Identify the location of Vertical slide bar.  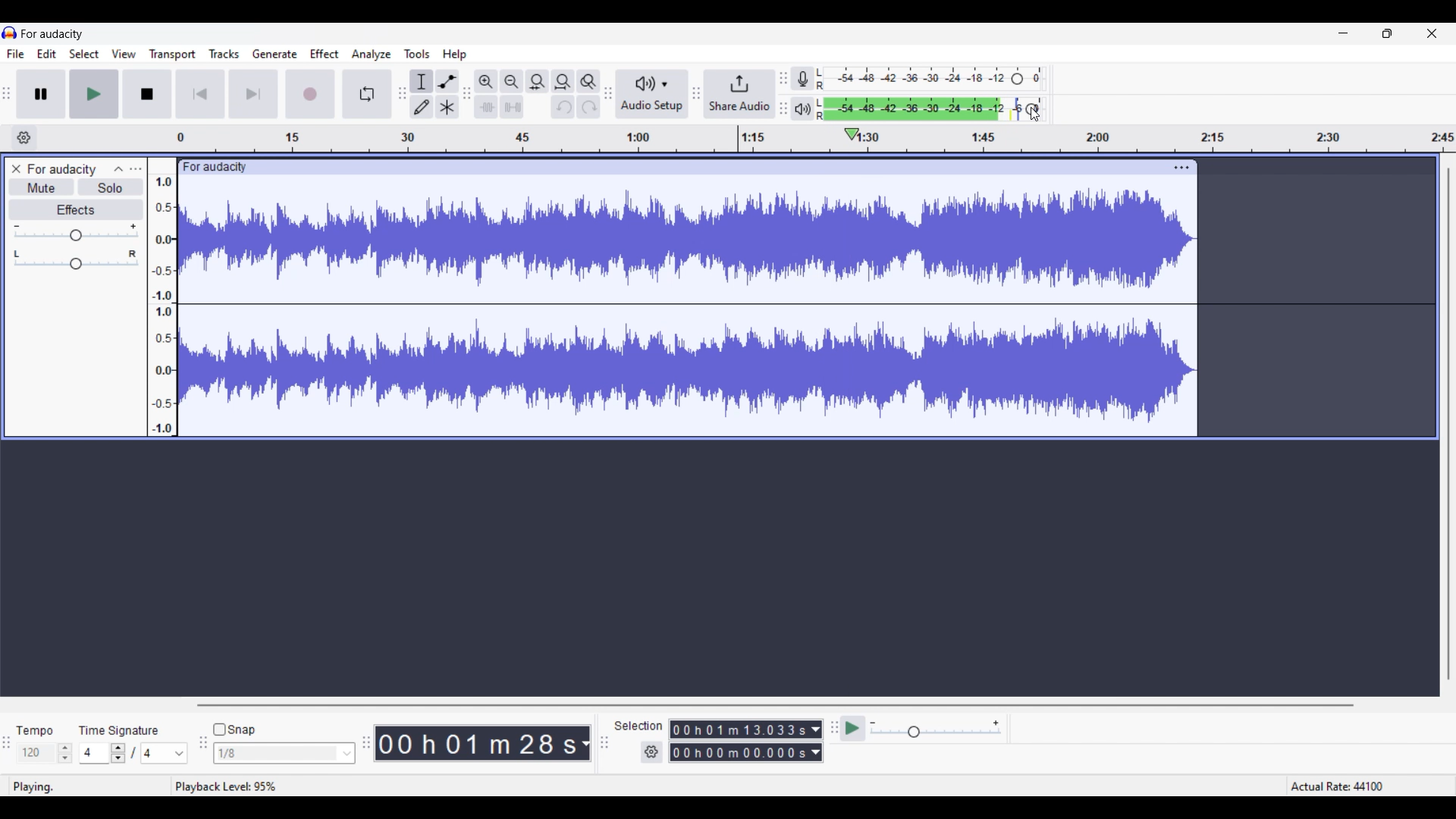
(1448, 425).